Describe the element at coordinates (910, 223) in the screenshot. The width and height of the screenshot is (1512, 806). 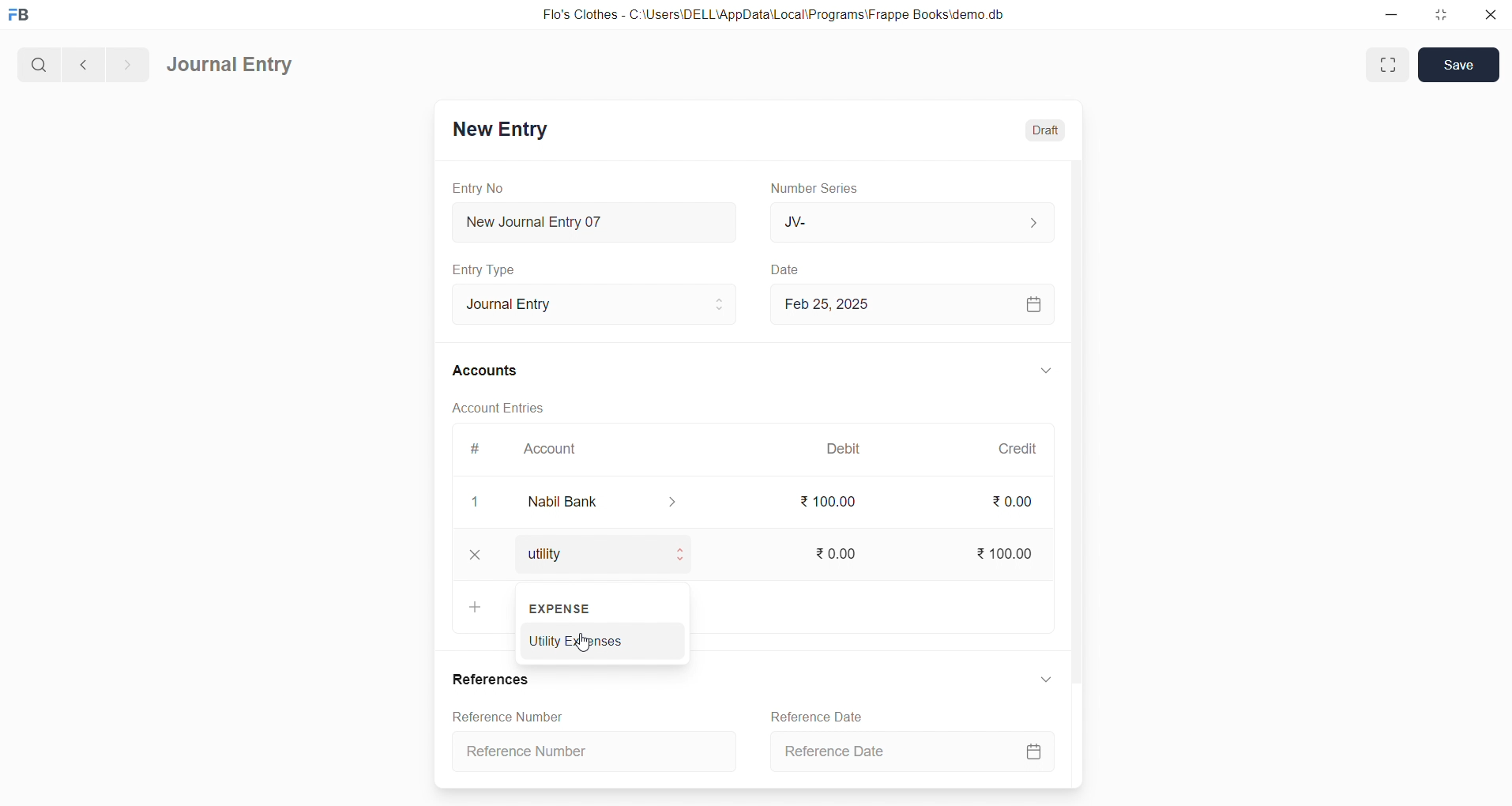
I see `JV-` at that location.